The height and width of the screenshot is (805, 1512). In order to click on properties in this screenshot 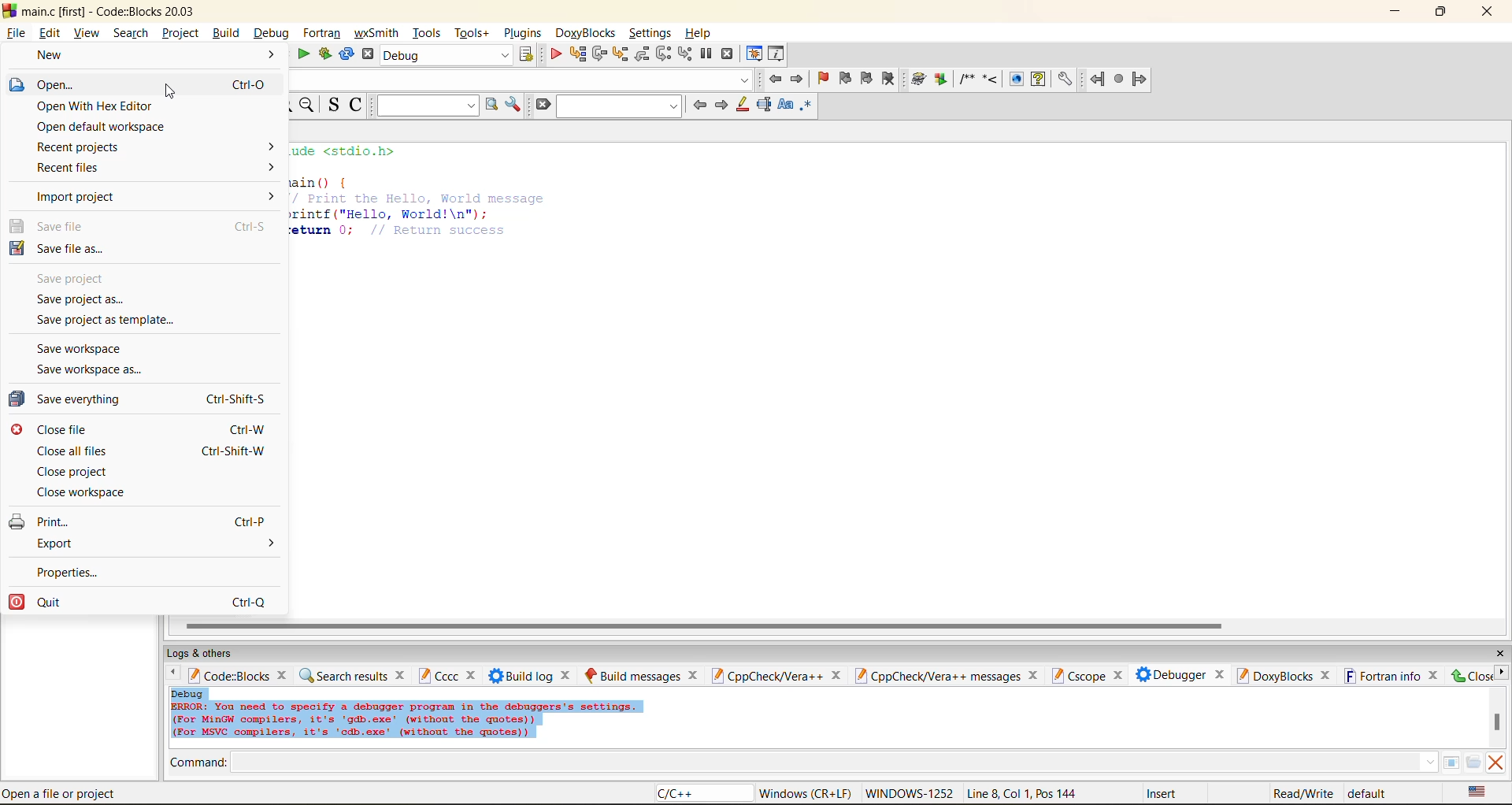, I will do `click(98, 569)`.